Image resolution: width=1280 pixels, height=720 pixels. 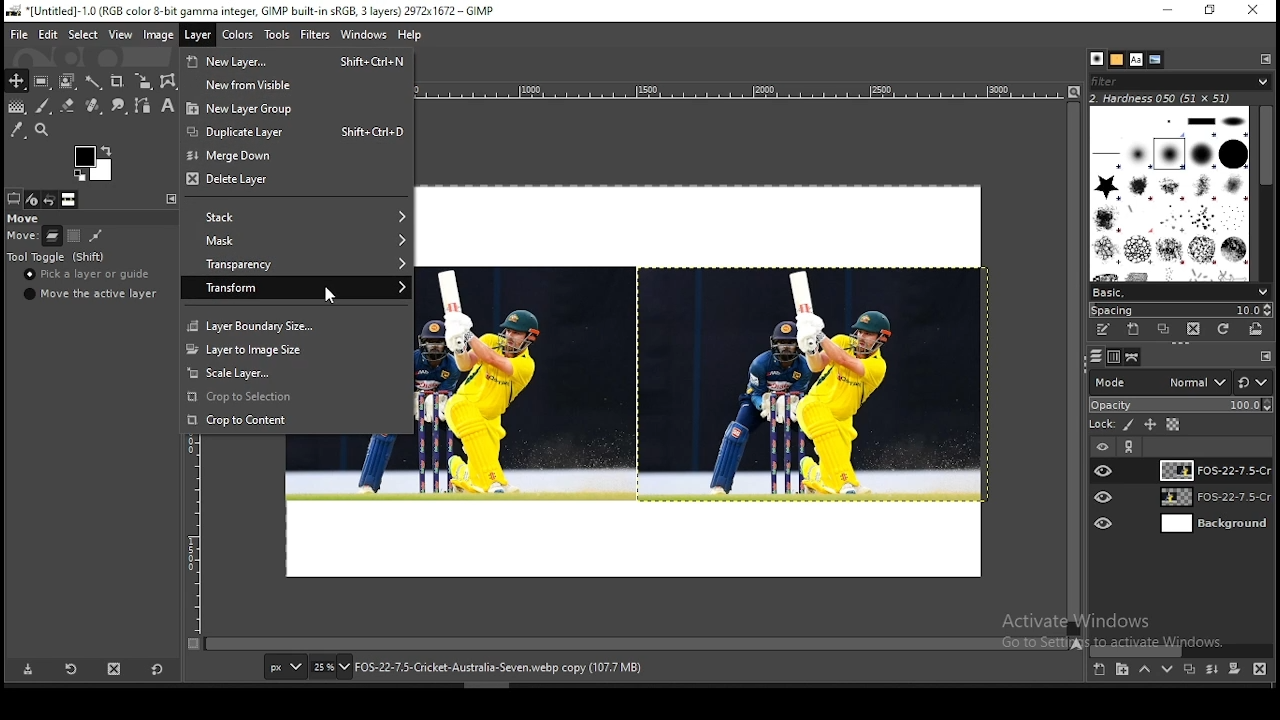 What do you see at coordinates (1211, 470) in the screenshot?
I see `layer ` at bounding box center [1211, 470].